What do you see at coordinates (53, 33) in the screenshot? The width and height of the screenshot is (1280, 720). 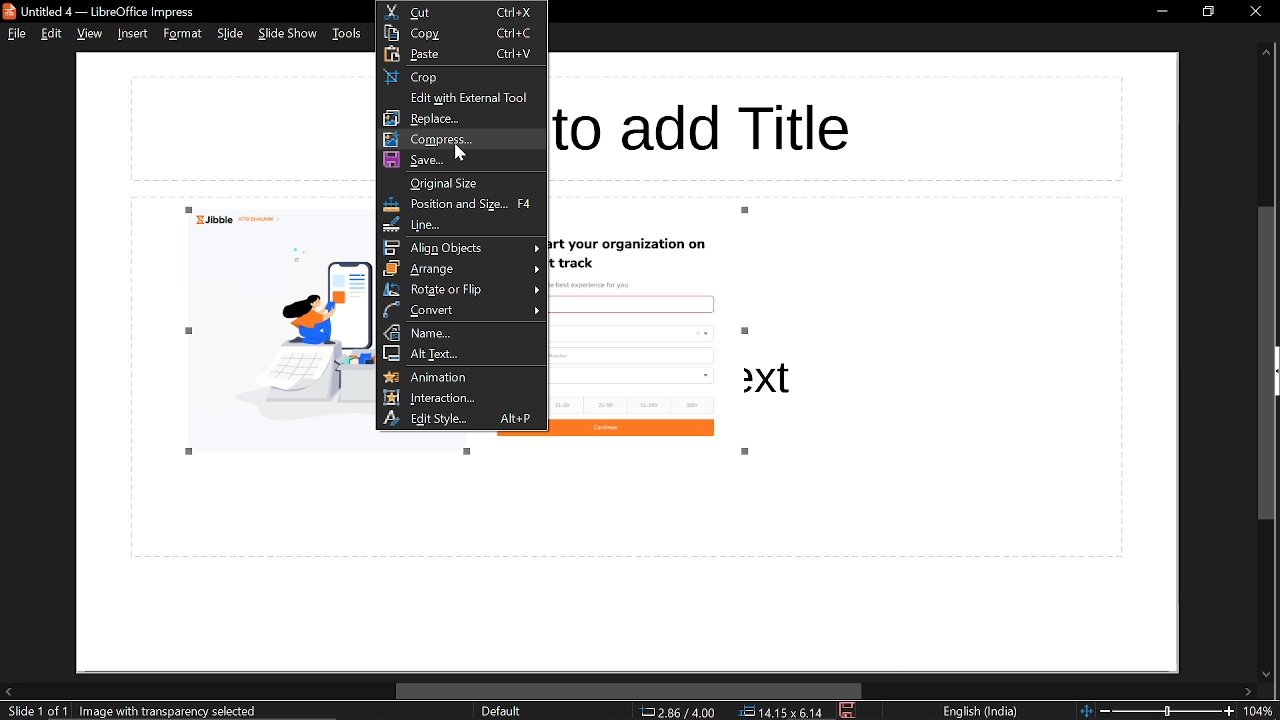 I see `edit` at bounding box center [53, 33].